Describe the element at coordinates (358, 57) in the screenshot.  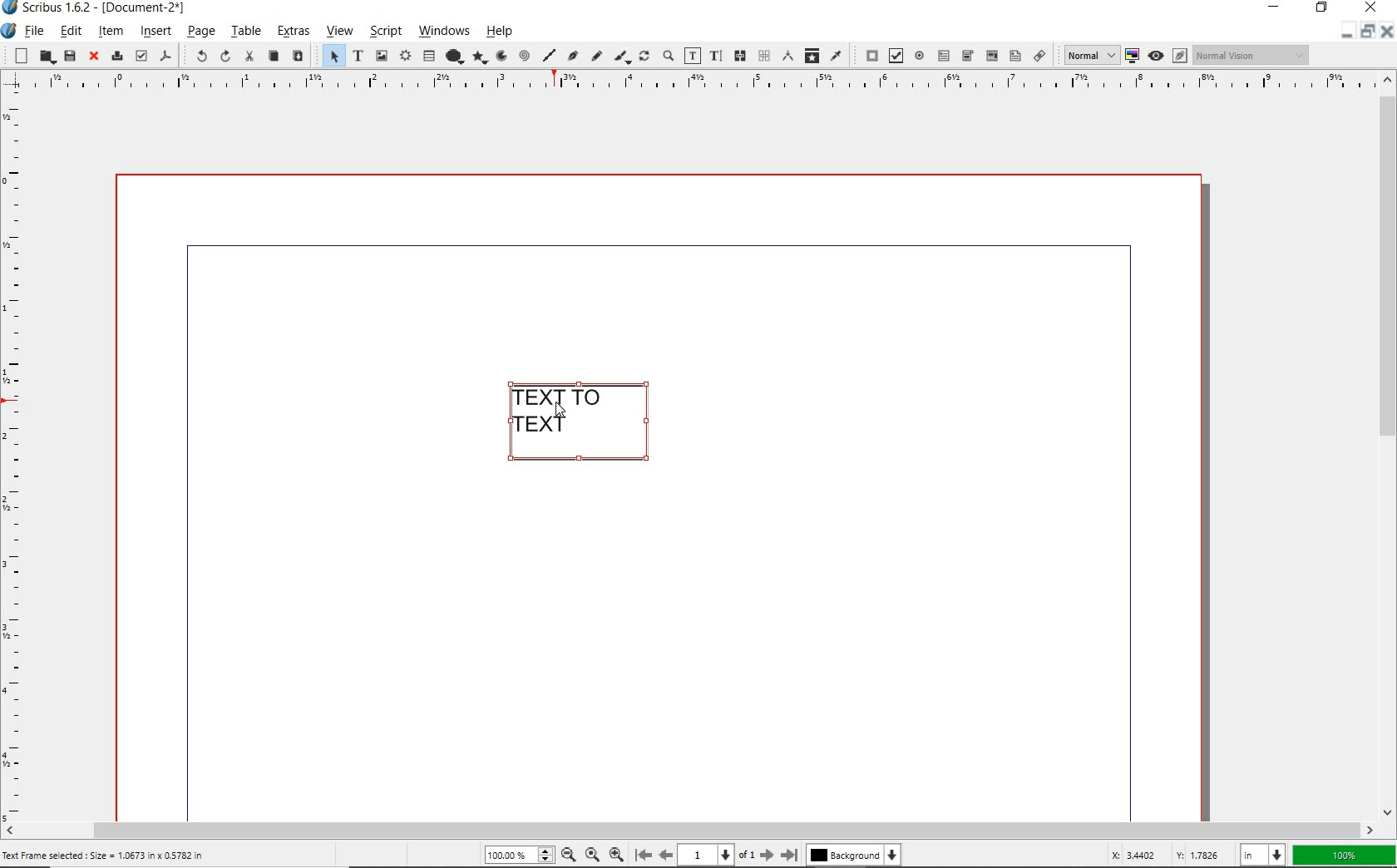
I see `text frame` at that location.